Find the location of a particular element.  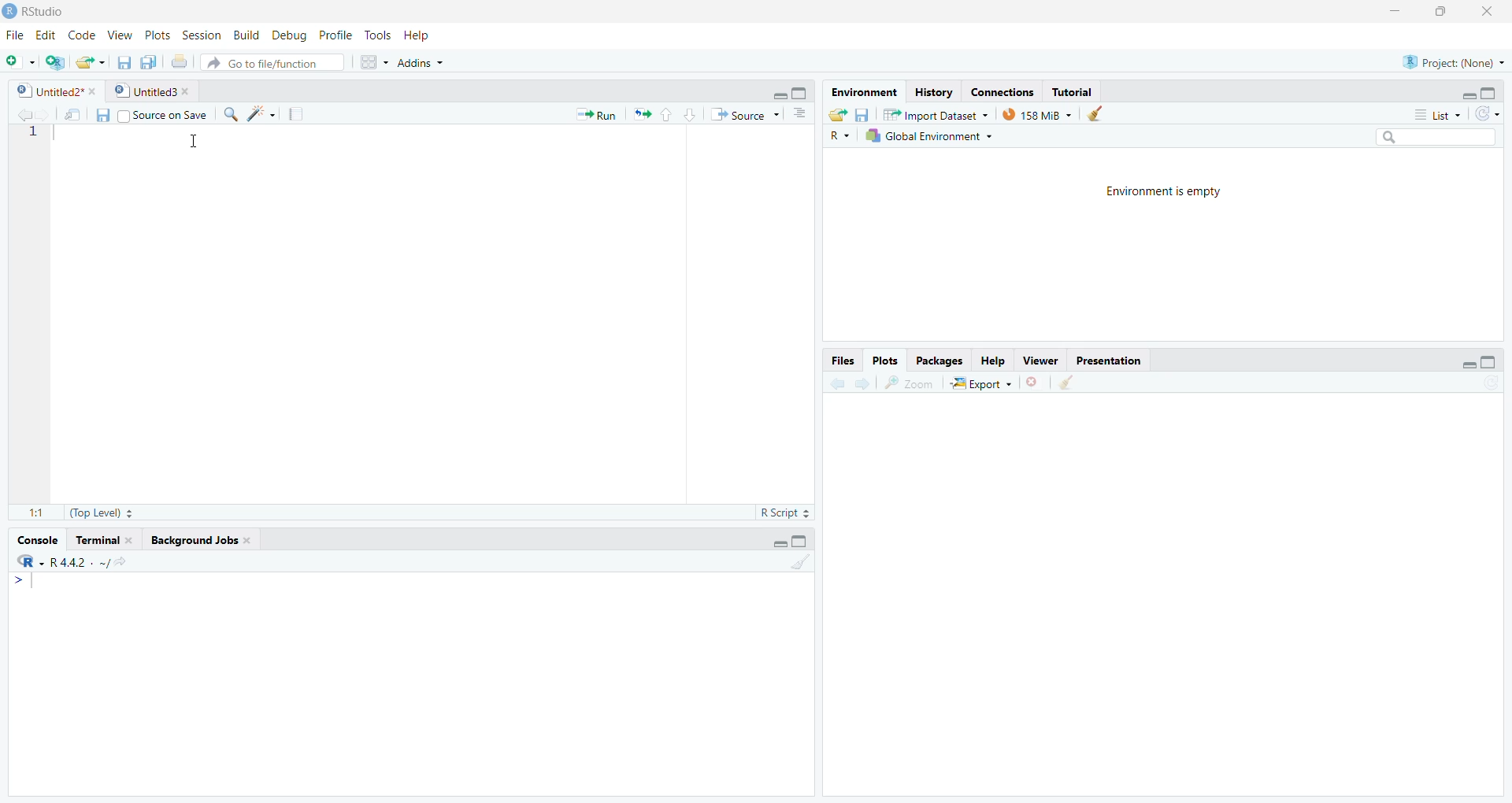

forward/backward is located at coordinates (854, 380).